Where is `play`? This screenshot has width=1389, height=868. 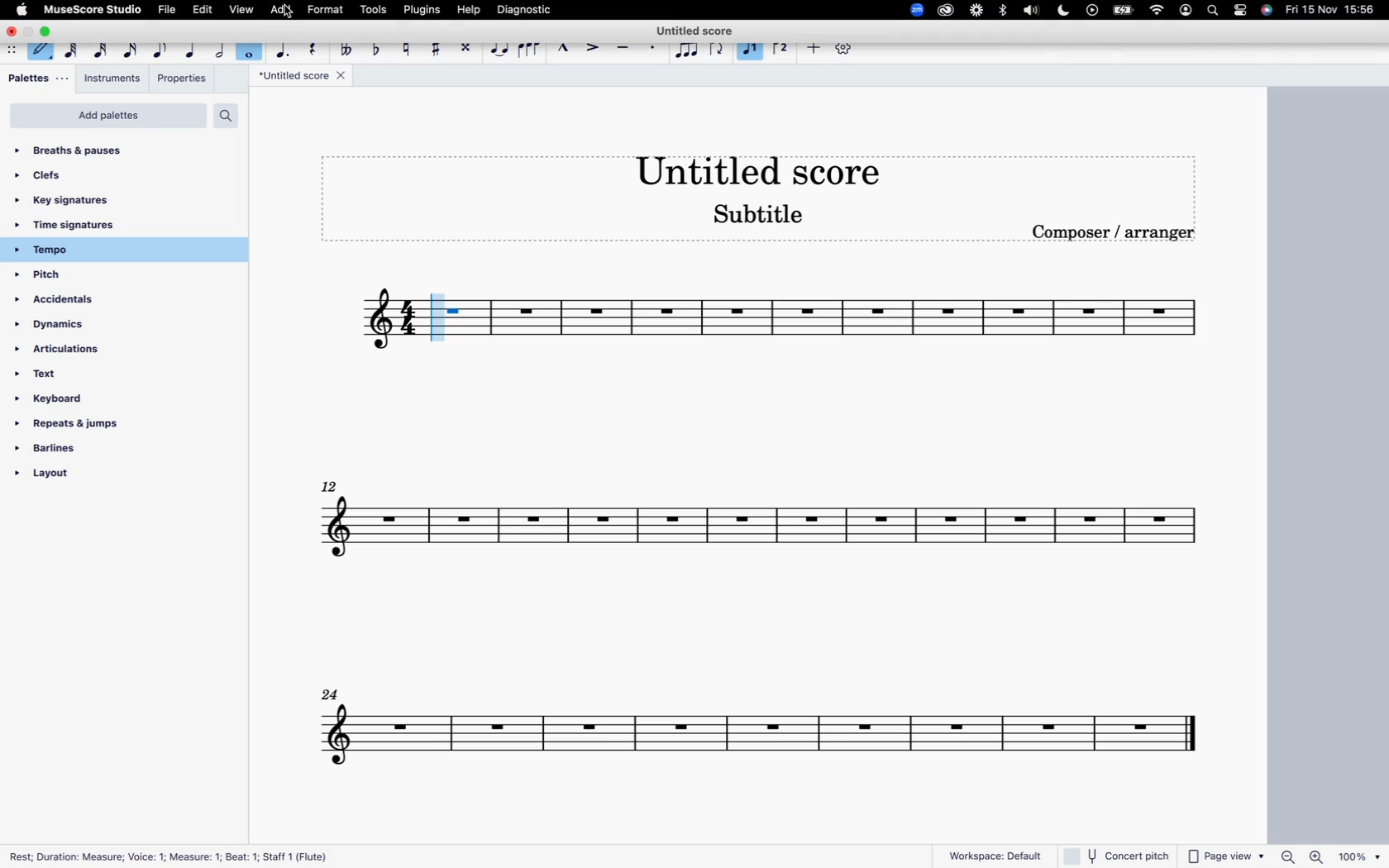 play is located at coordinates (1092, 12).